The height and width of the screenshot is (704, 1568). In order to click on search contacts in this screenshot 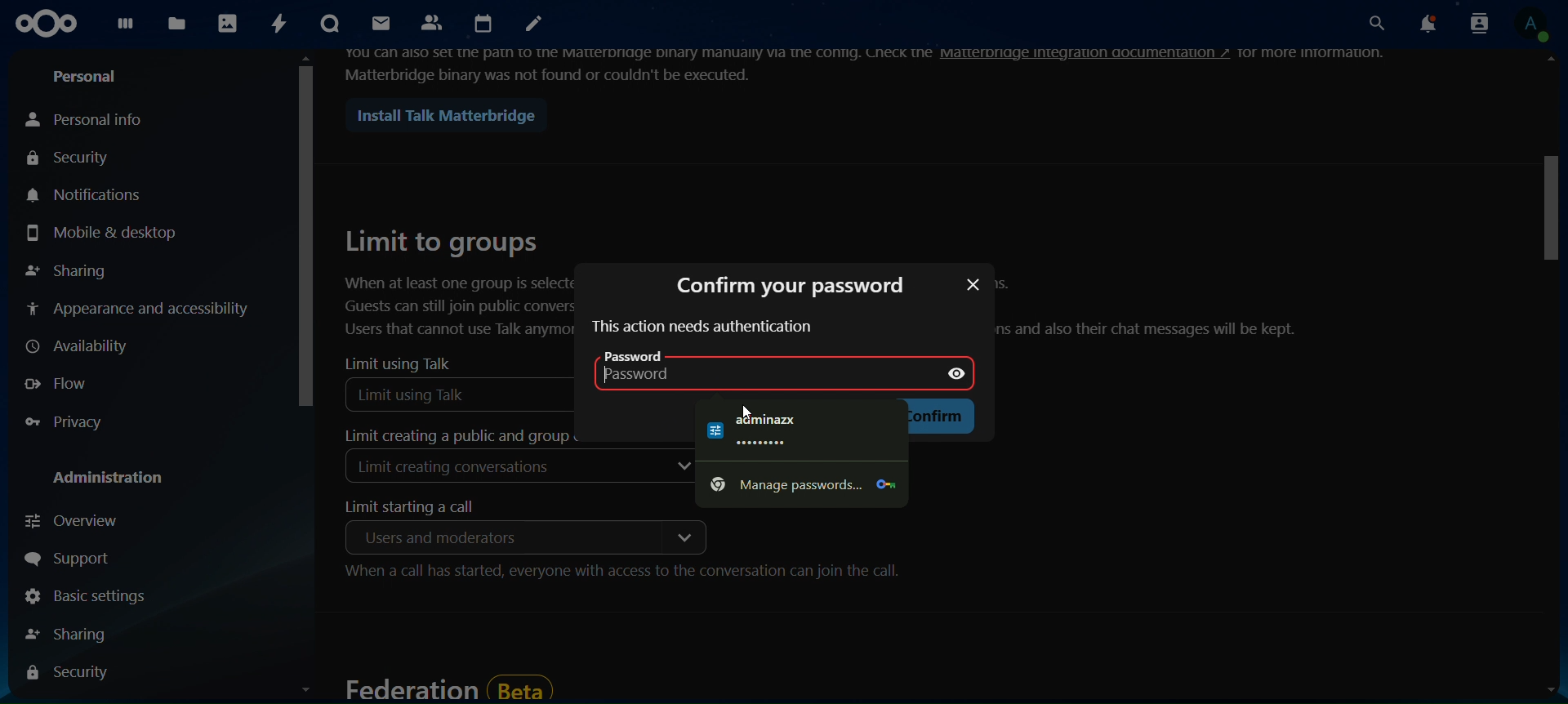, I will do `click(1474, 23)`.